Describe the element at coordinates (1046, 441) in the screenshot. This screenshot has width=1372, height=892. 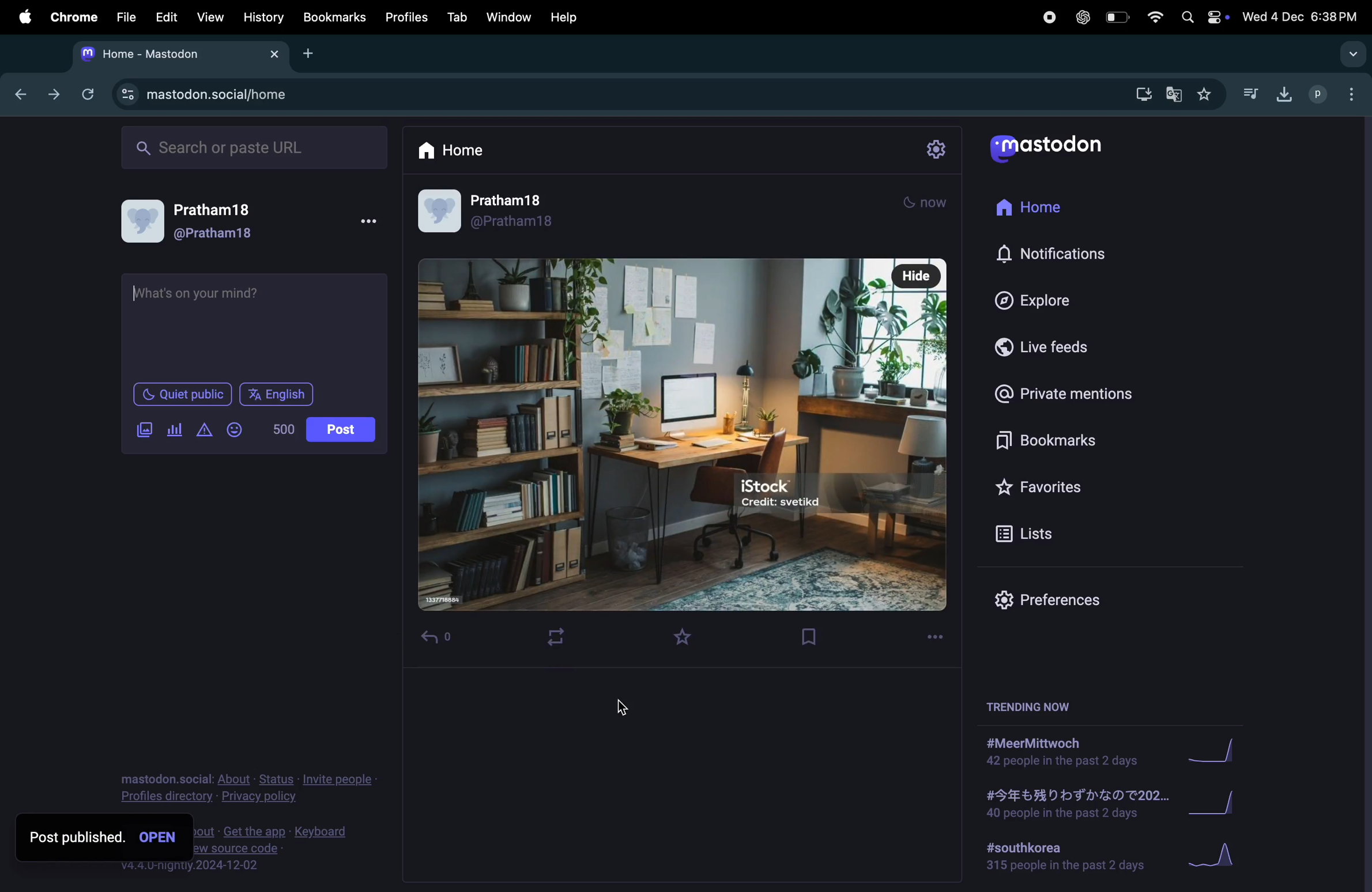
I see `Book marks` at that location.